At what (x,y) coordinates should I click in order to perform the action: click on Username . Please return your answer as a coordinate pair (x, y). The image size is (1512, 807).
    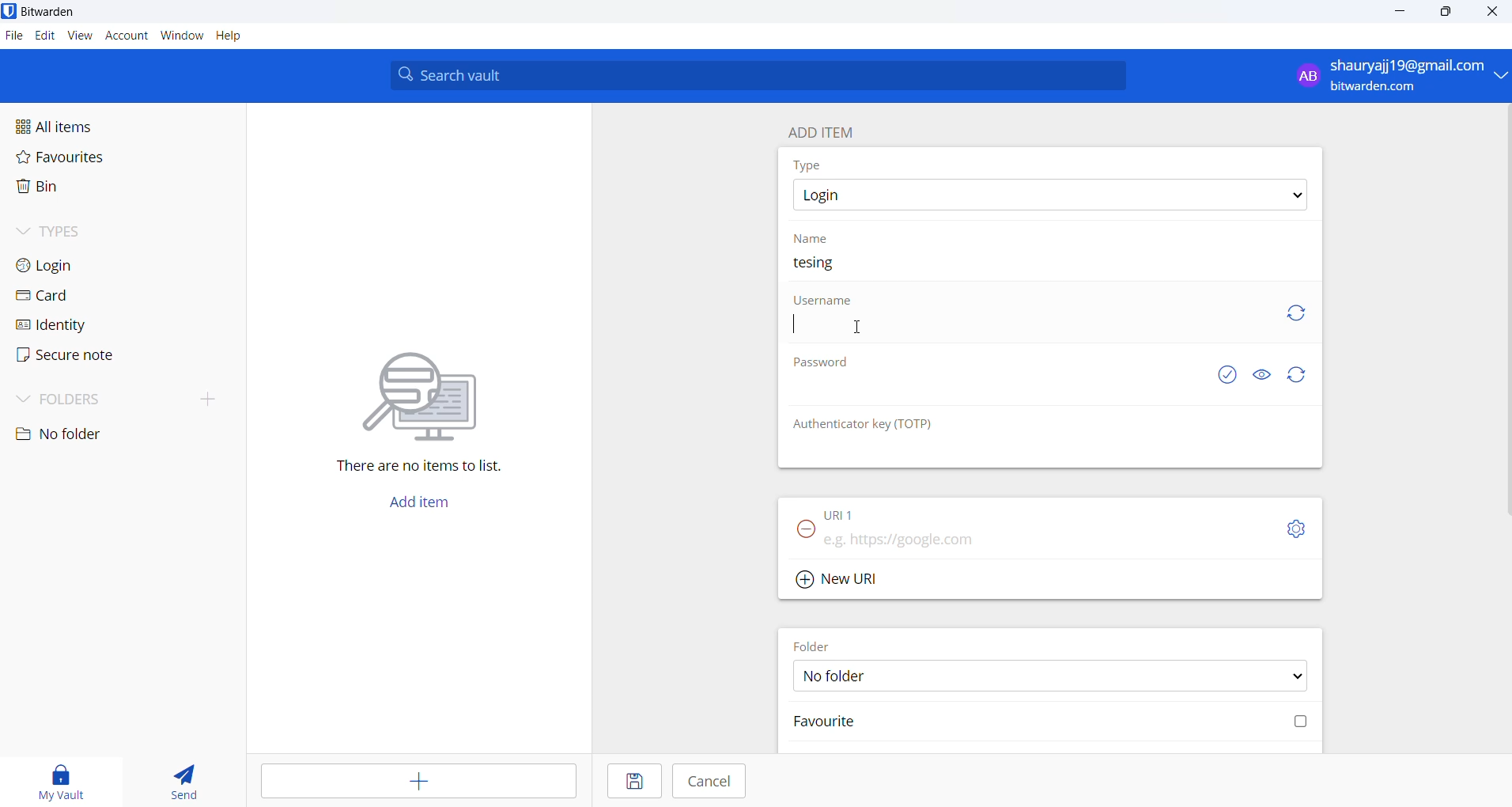
    Looking at the image, I should click on (825, 300).